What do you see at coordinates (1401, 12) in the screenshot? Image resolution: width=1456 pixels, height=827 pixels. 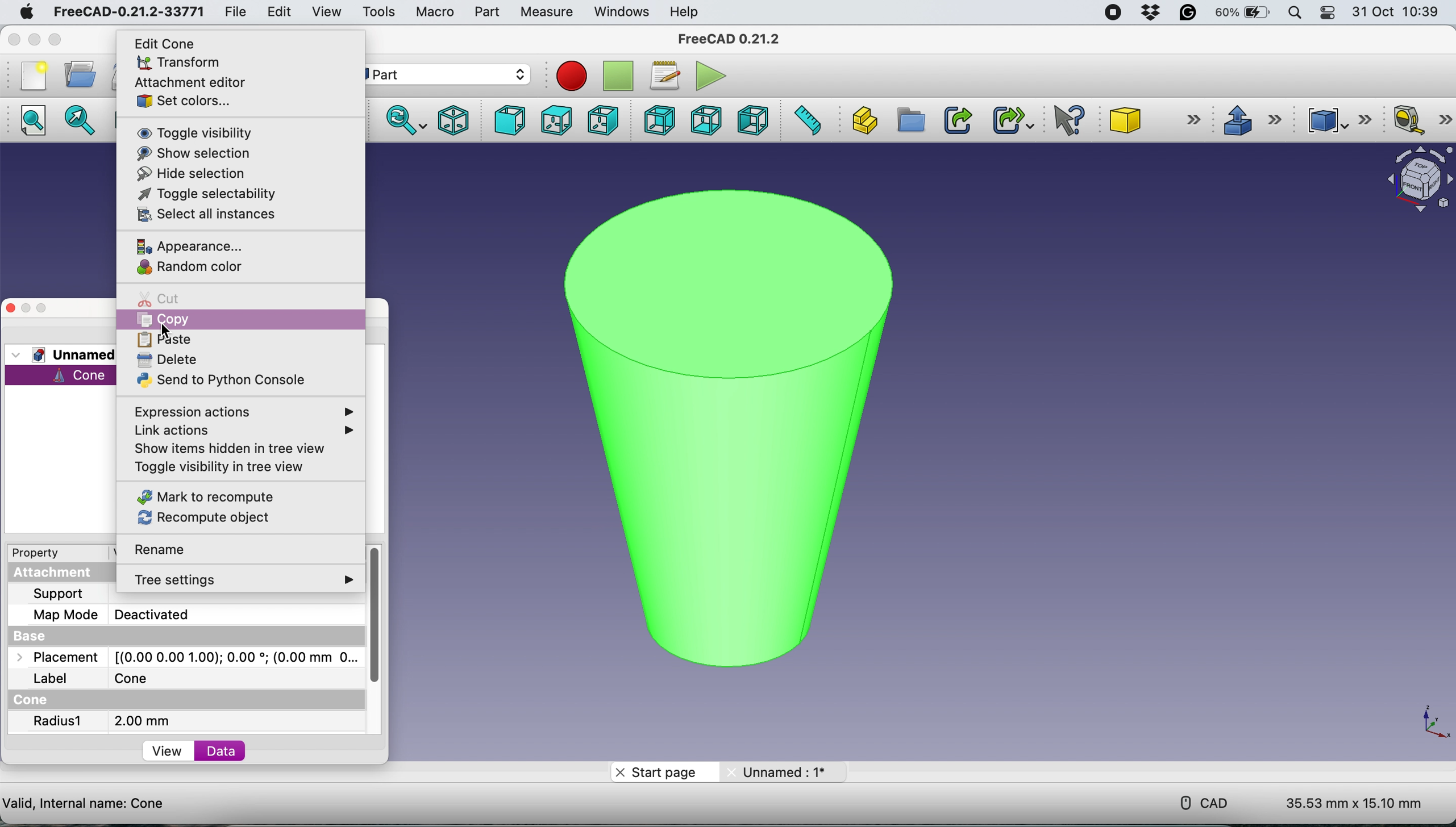 I see `31 oct 10:39` at bounding box center [1401, 12].